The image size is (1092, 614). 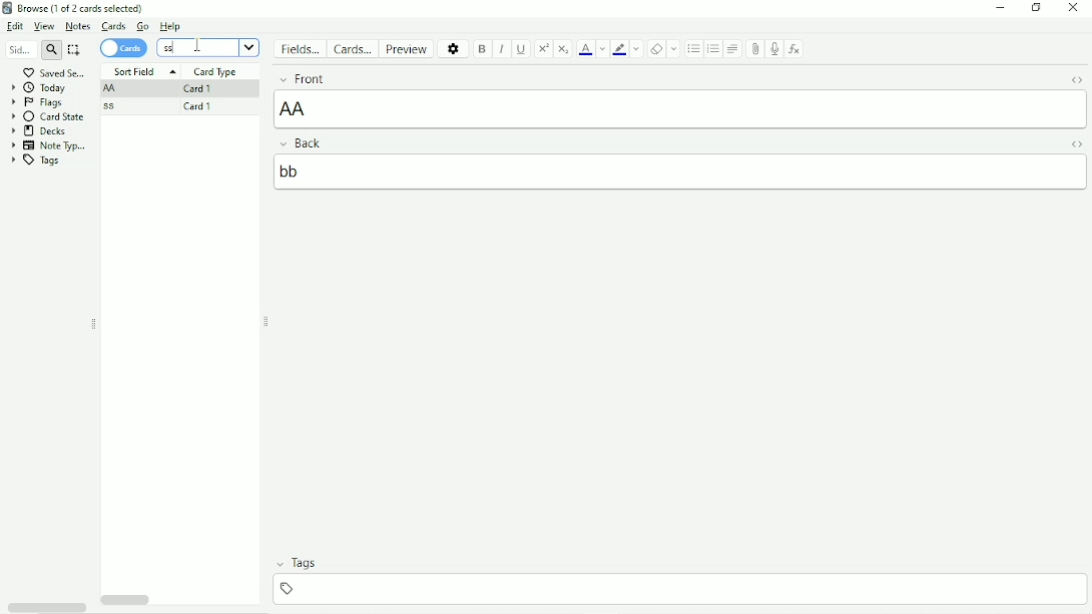 What do you see at coordinates (142, 26) in the screenshot?
I see `Go` at bounding box center [142, 26].